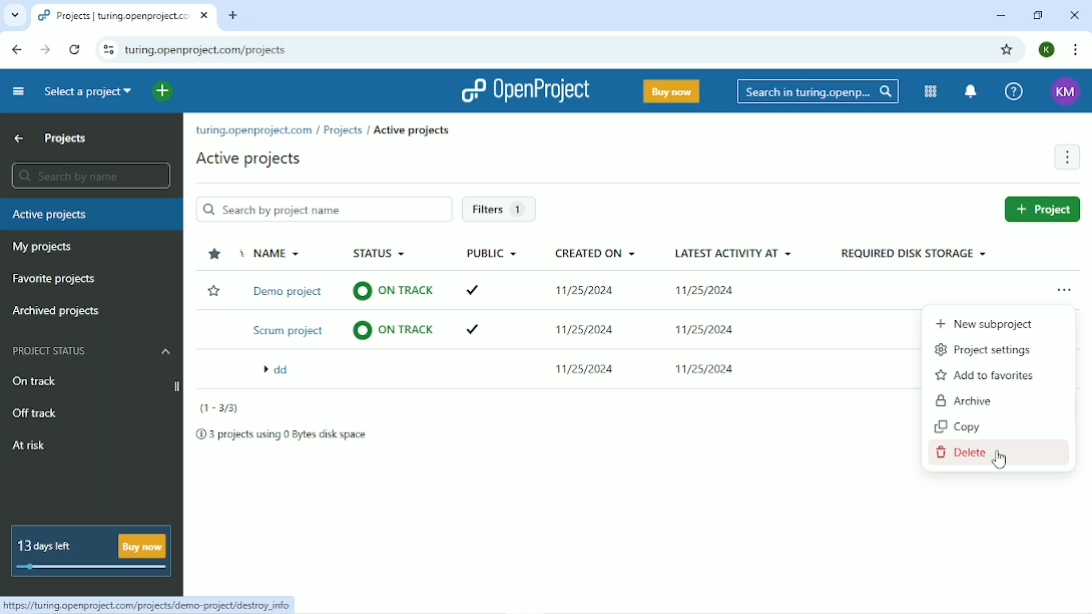  What do you see at coordinates (964, 400) in the screenshot?
I see `Archive` at bounding box center [964, 400].